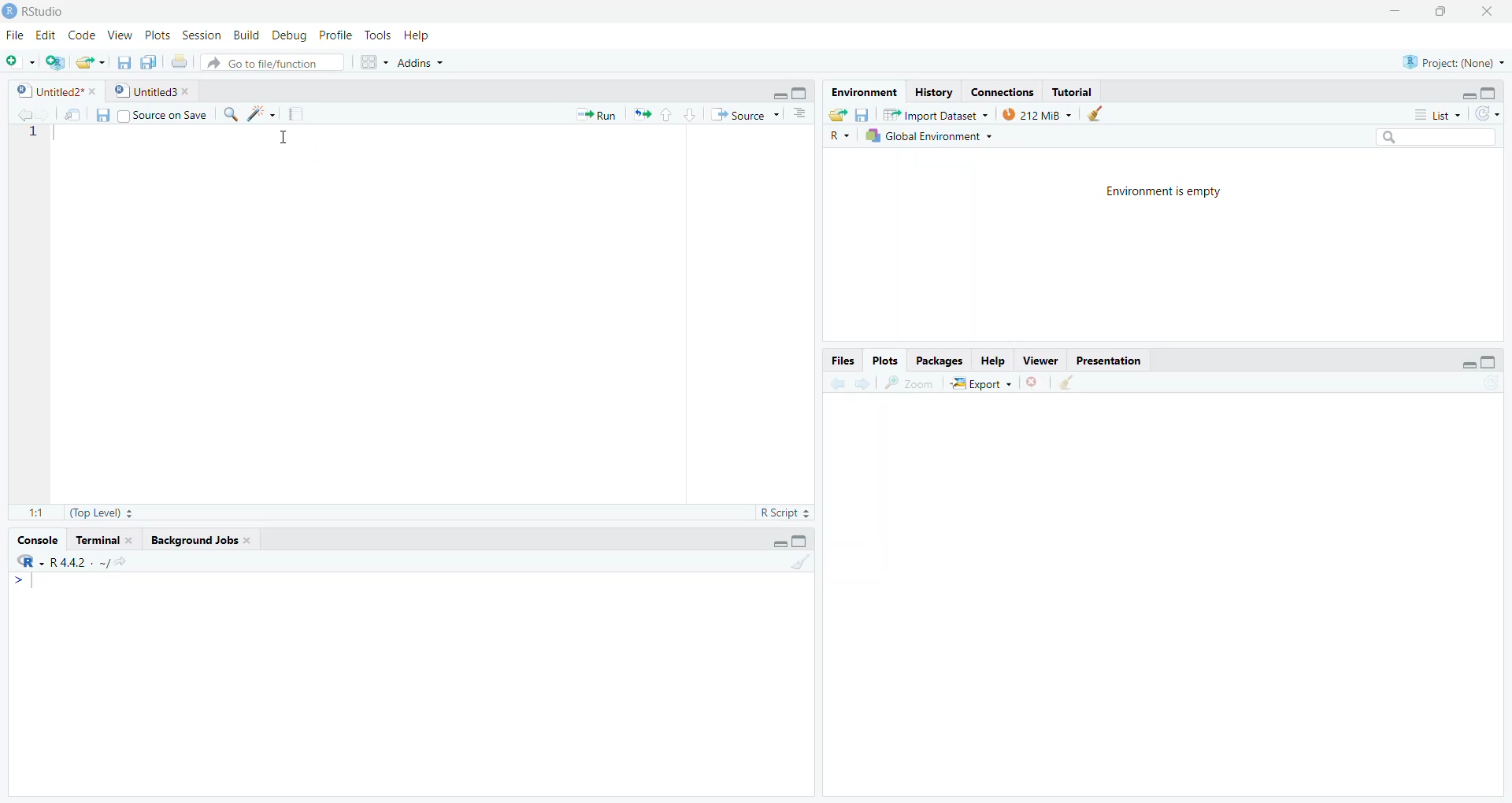  What do you see at coordinates (1458, 94) in the screenshot?
I see `minimize` at bounding box center [1458, 94].